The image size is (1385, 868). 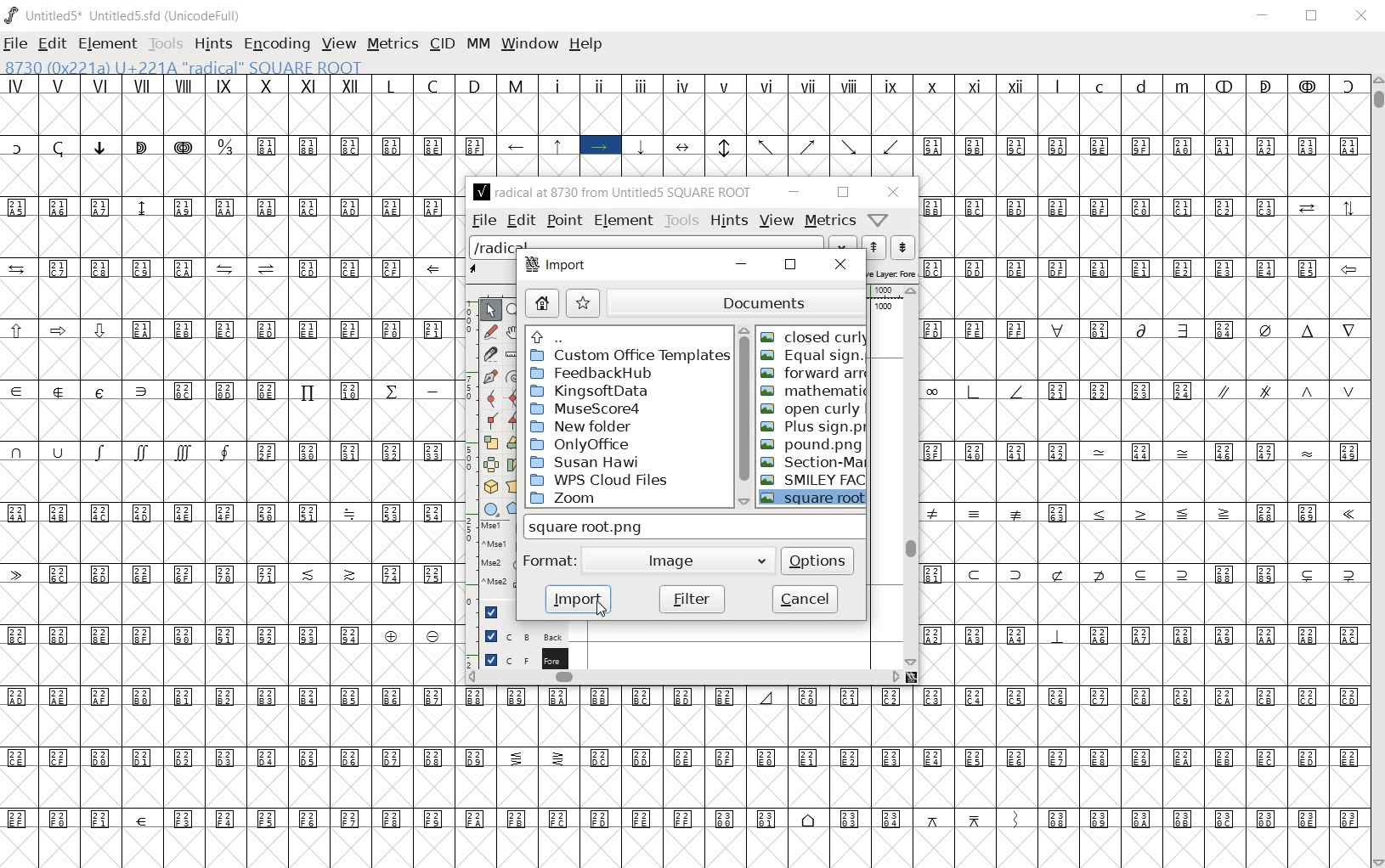 What do you see at coordinates (893, 272) in the screenshot?
I see `active layer: Fore` at bounding box center [893, 272].